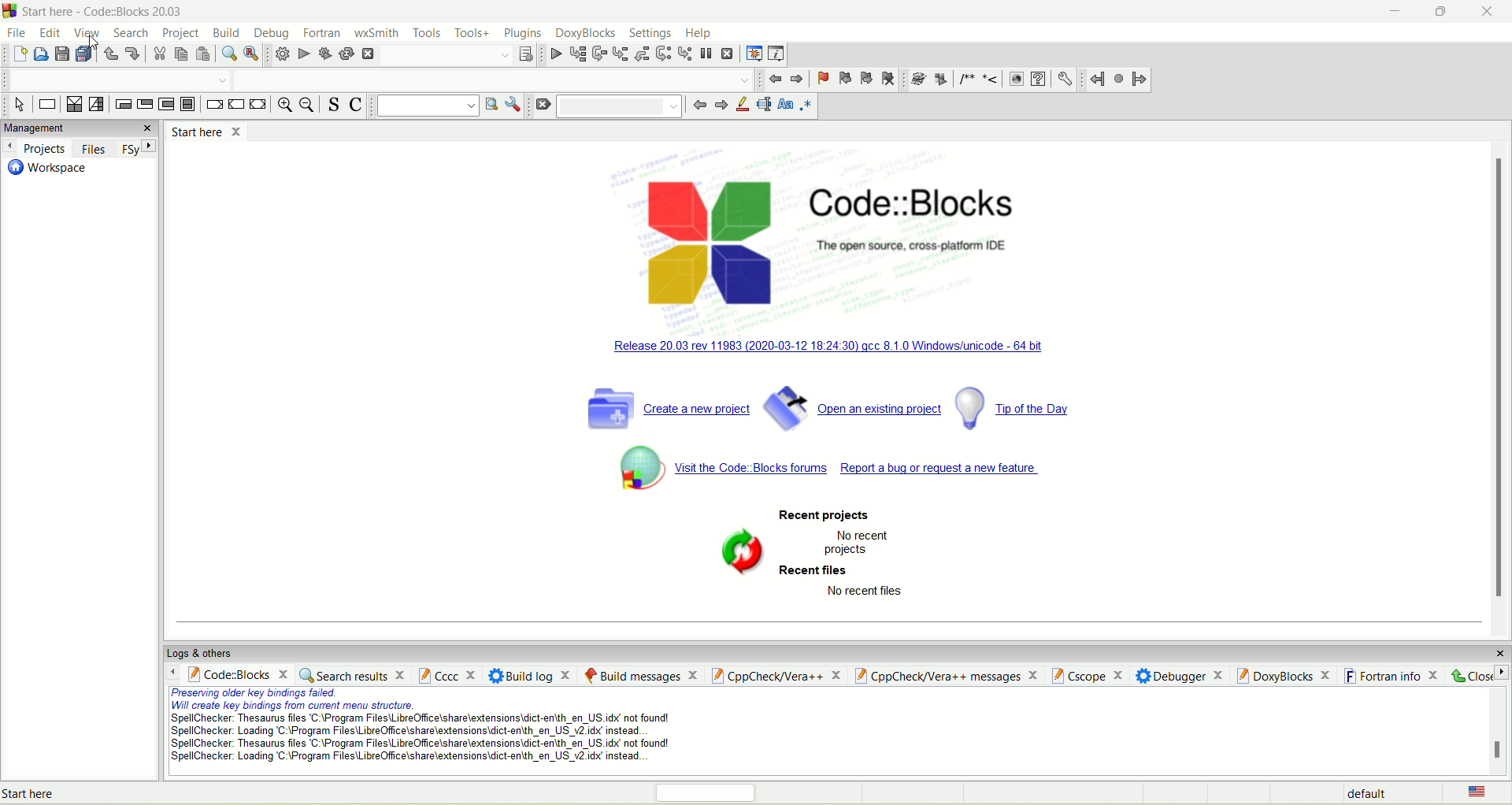  What do you see at coordinates (576, 54) in the screenshot?
I see `run to cursor` at bounding box center [576, 54].